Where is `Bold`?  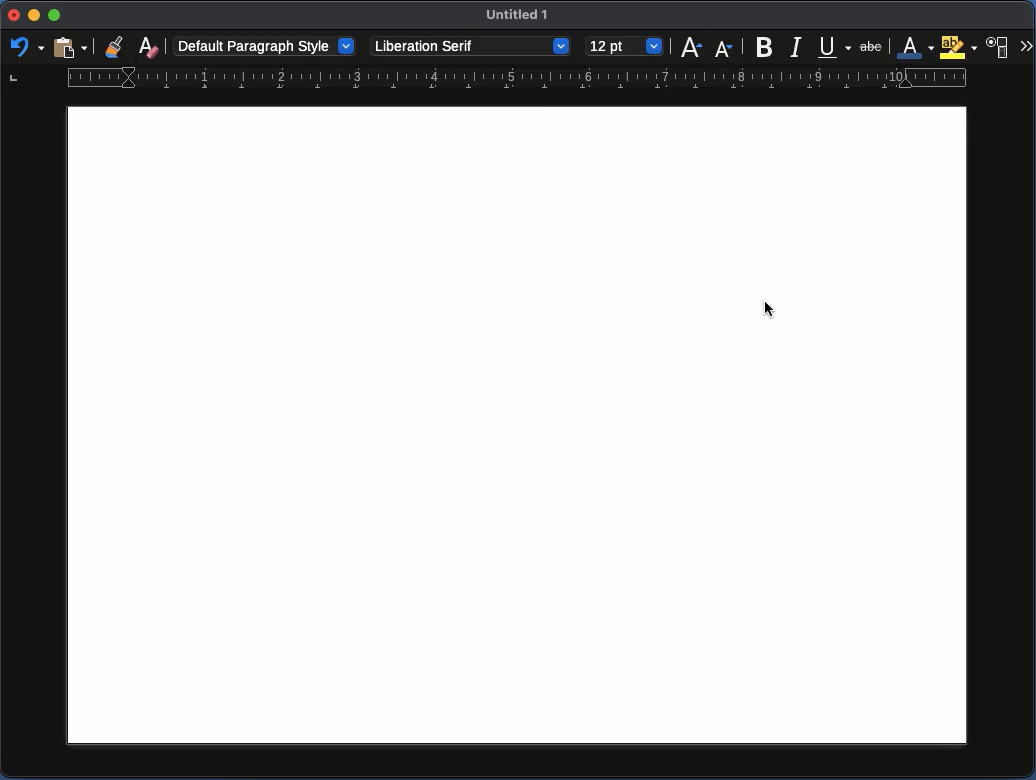 Bold is located at coordinates (765, 45).